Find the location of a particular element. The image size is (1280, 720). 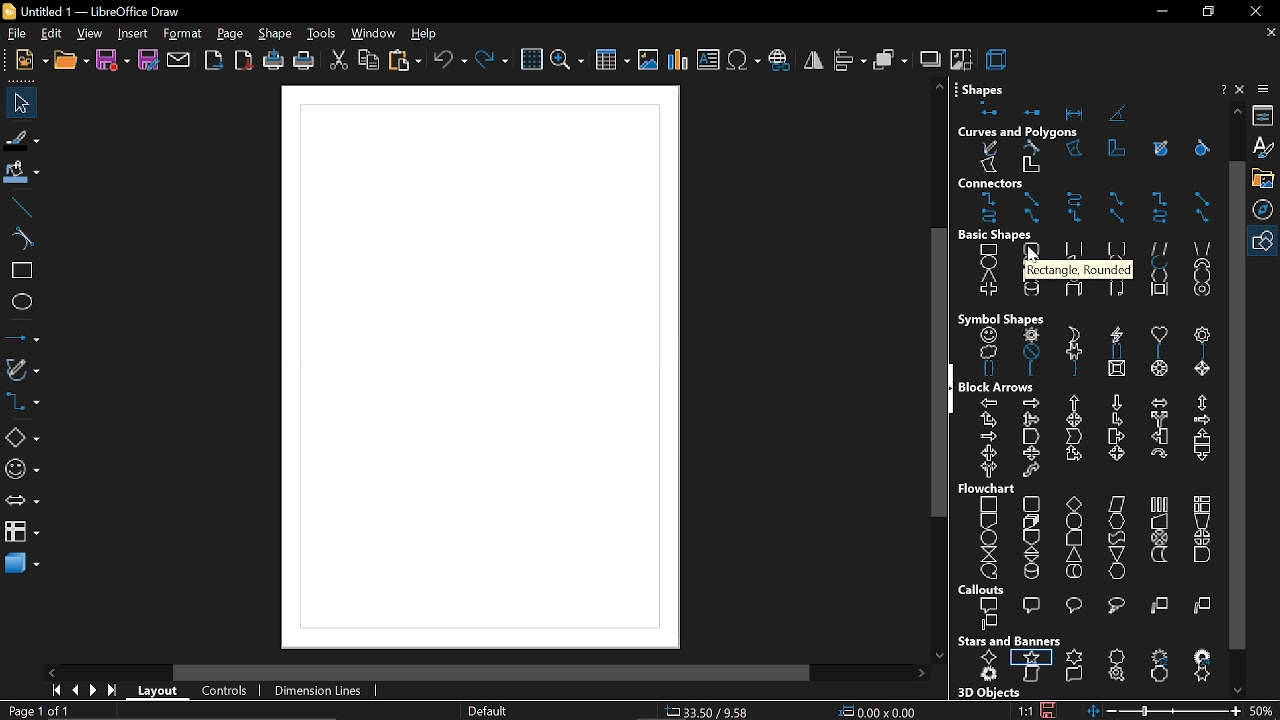

flowchart is located at coordinates (1086, 538).